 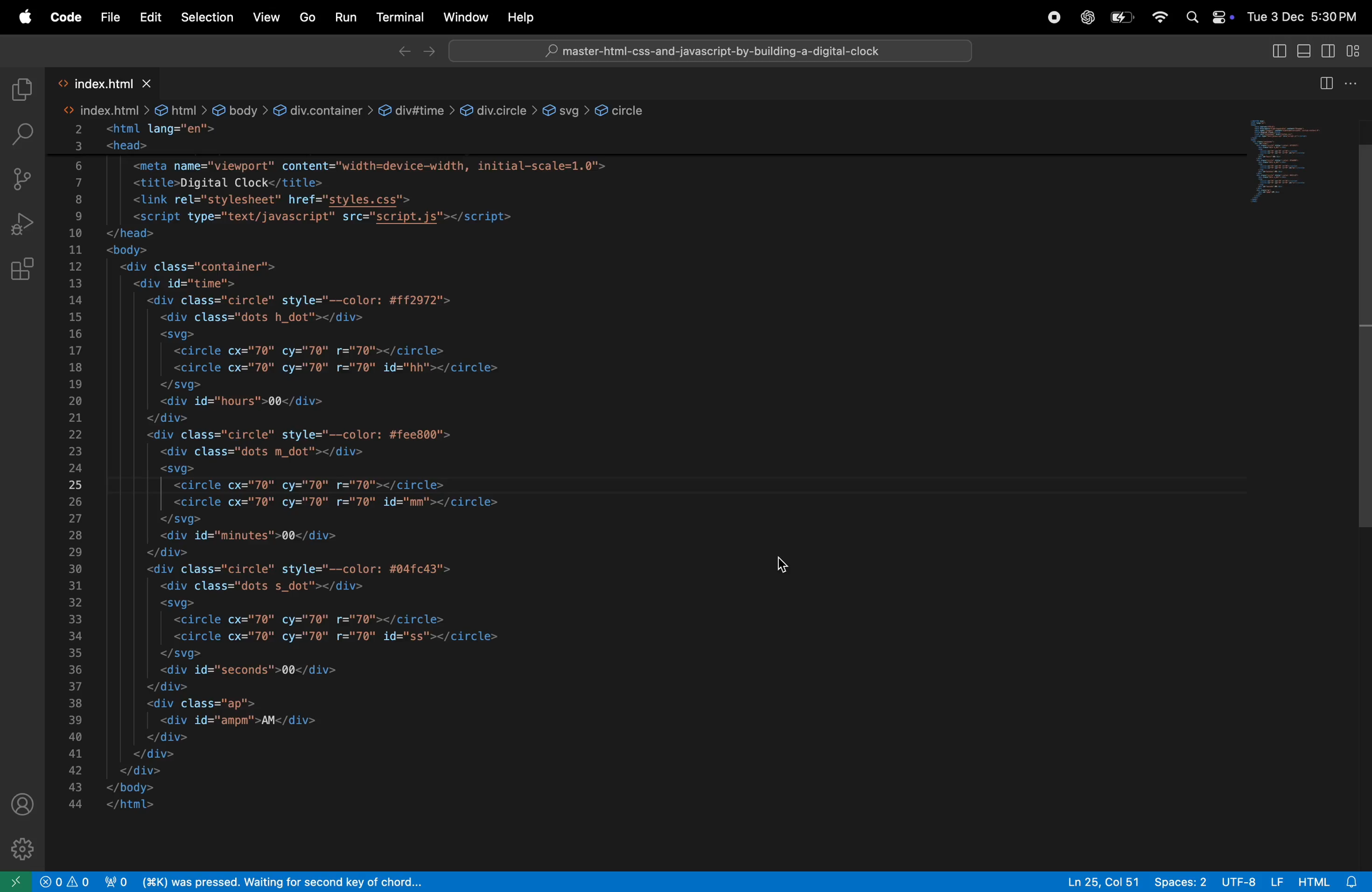 I want to click on toggle primary sidebar, so click(x=1279, y=51).